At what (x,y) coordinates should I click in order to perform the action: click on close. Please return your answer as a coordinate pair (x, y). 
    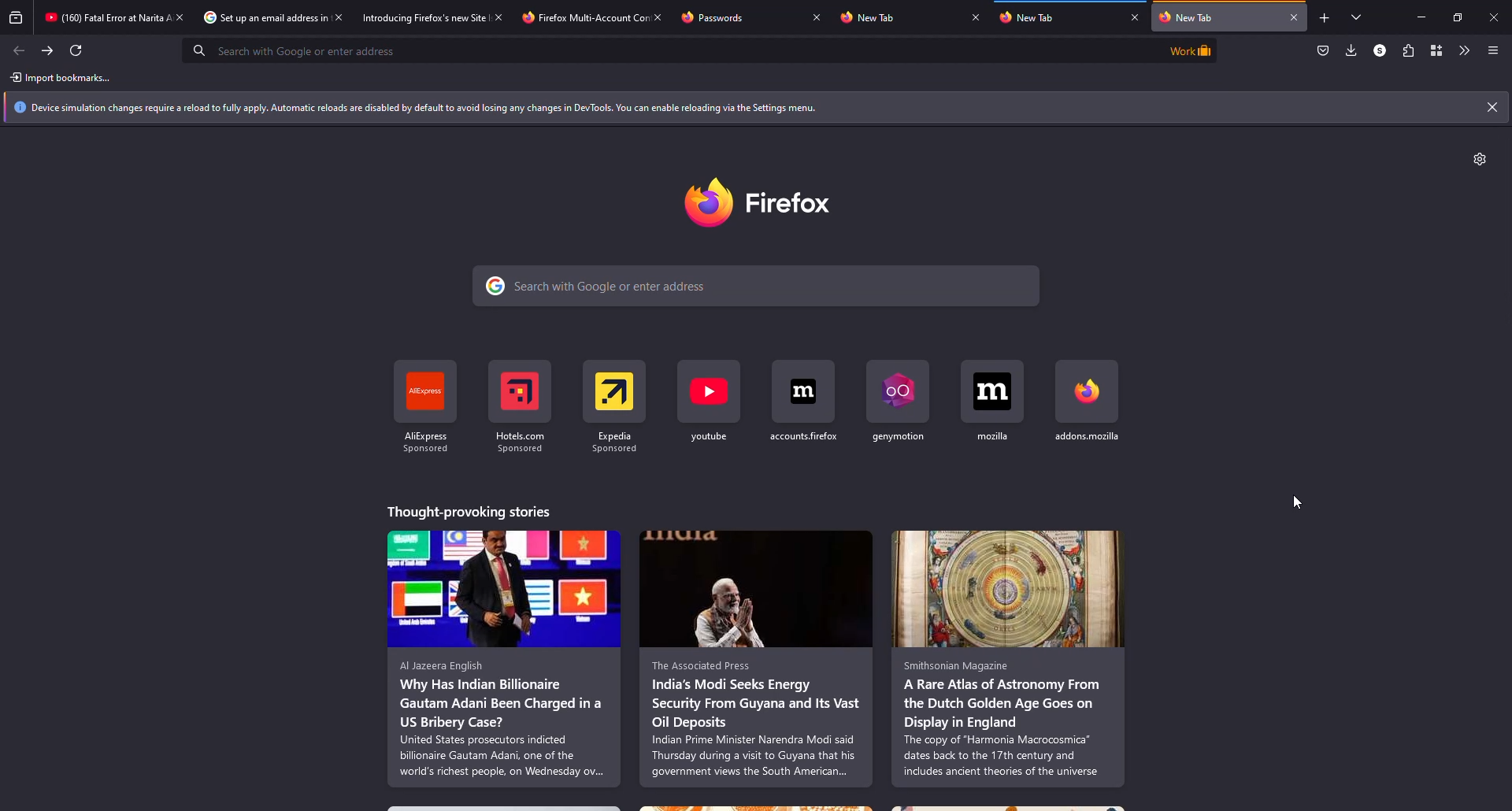
    Looking at the image, I should click on (339, 18).